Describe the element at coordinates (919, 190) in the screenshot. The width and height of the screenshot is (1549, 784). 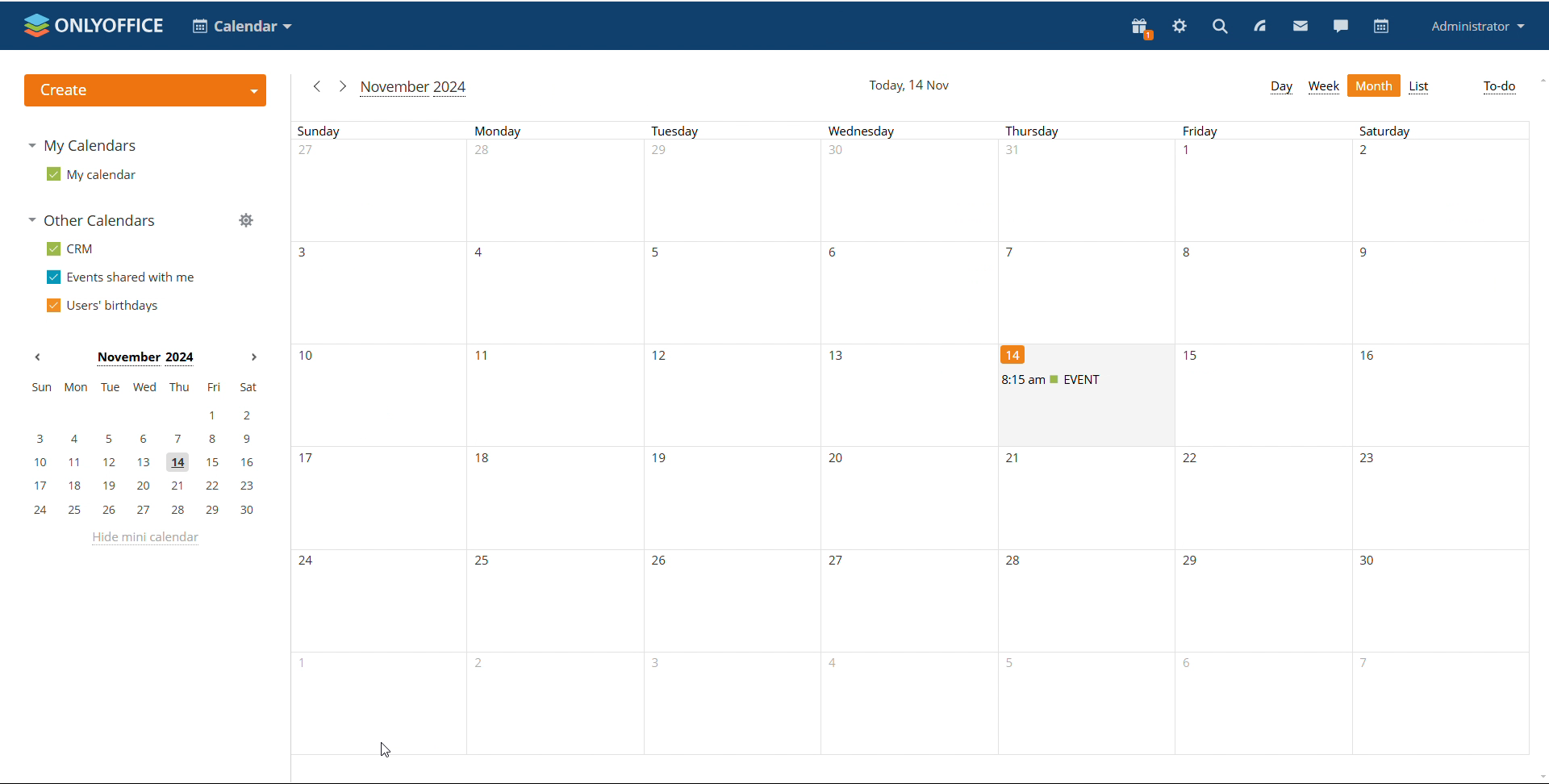
I see `27, 28, 29, 30, 31, 1, 2` at that location.